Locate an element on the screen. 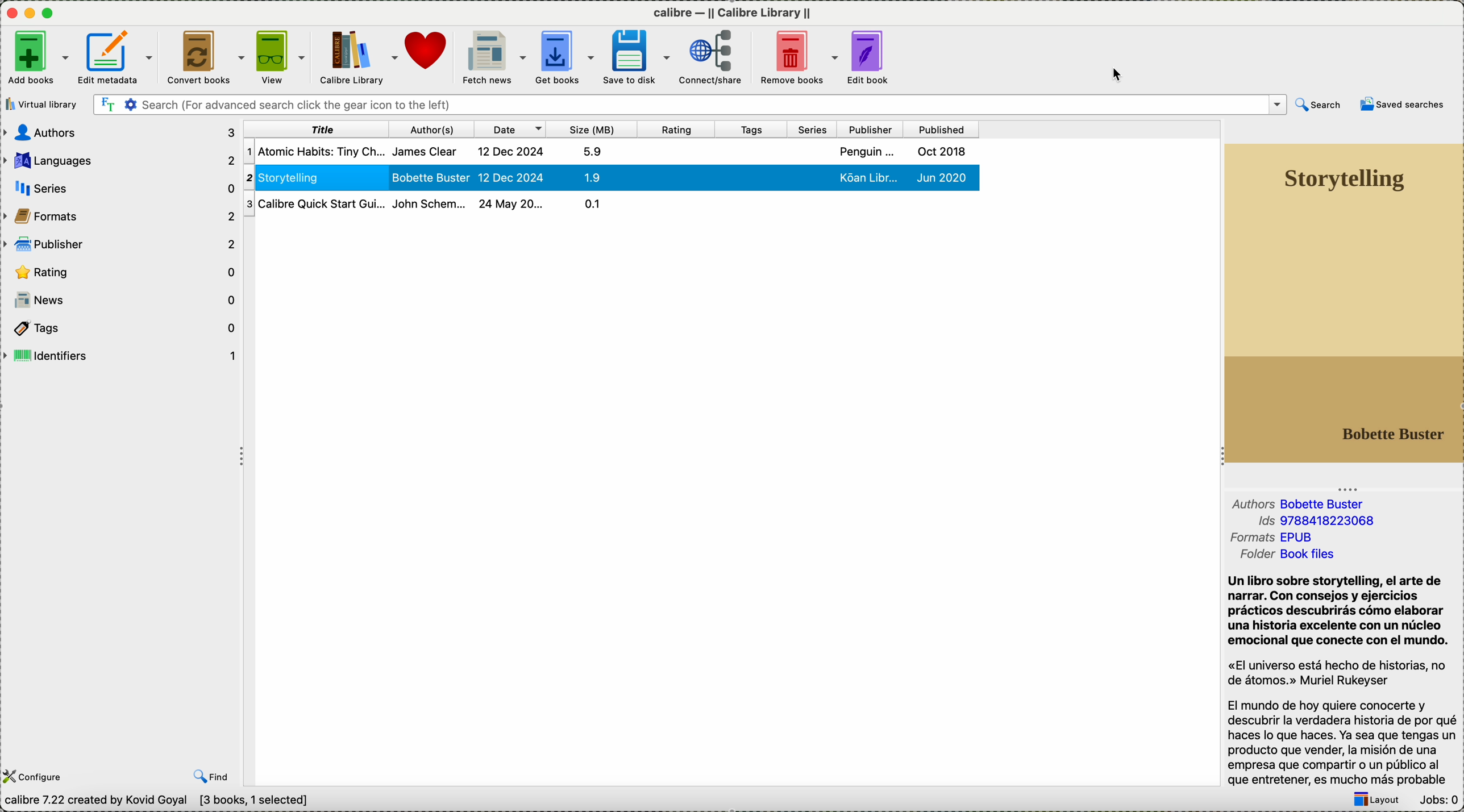 This screenshot has width=1464, height=812. languages is located at coordinates (122, 159).